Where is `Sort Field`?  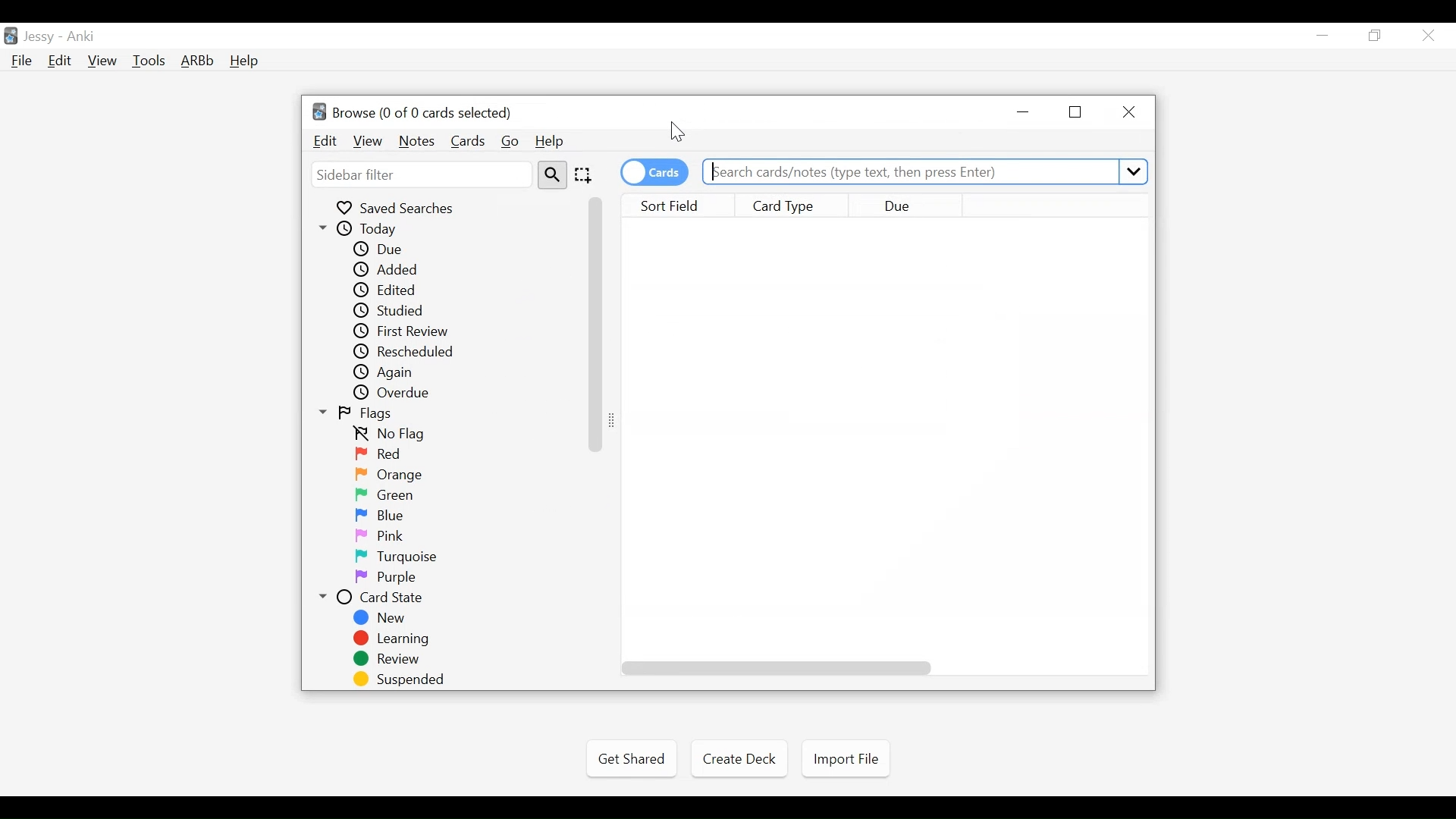 Sort Field is located at coordinates (673, 206).